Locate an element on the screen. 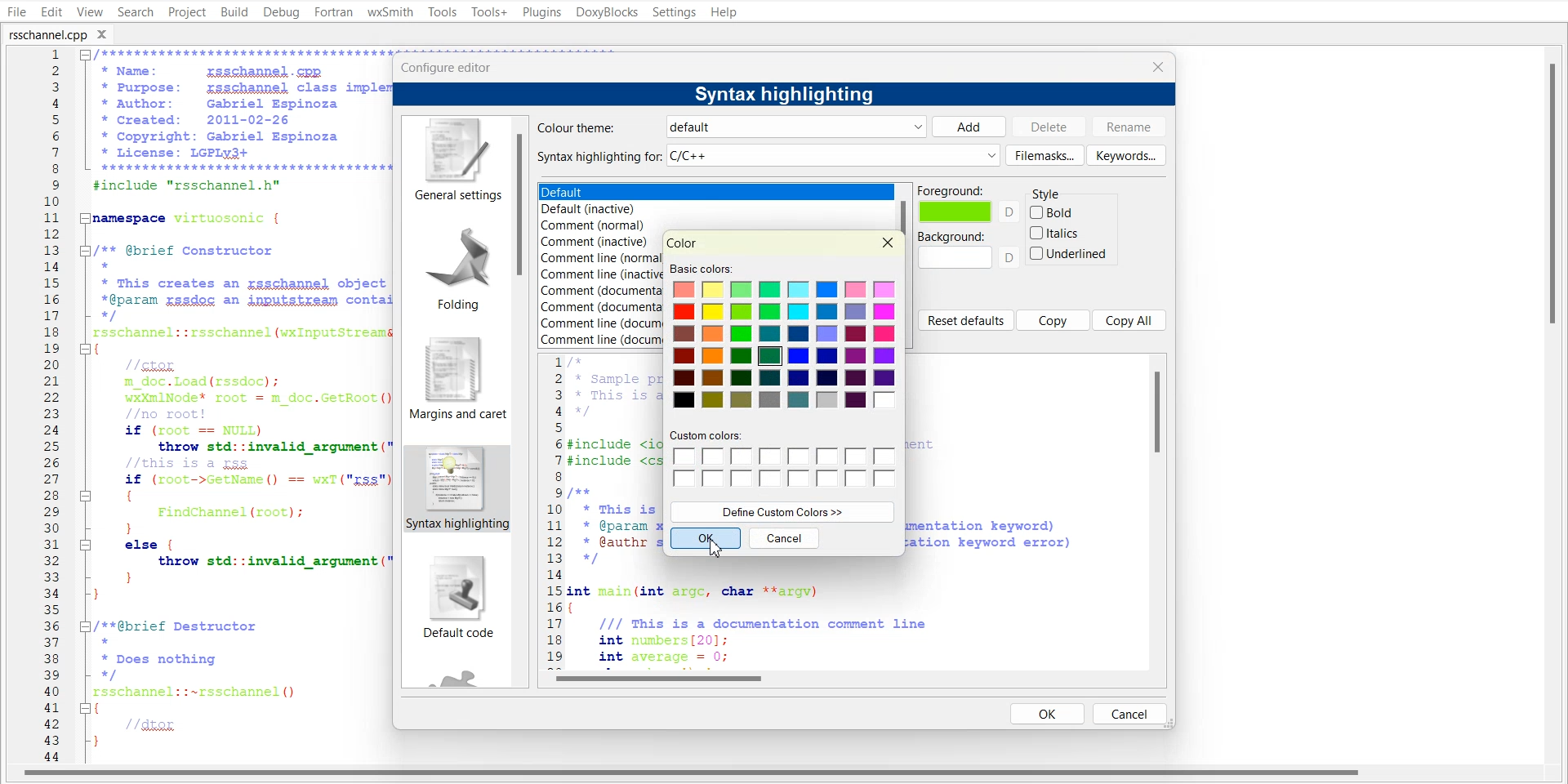  Horizontal Scroll bar is located at coordinates (694, 775).